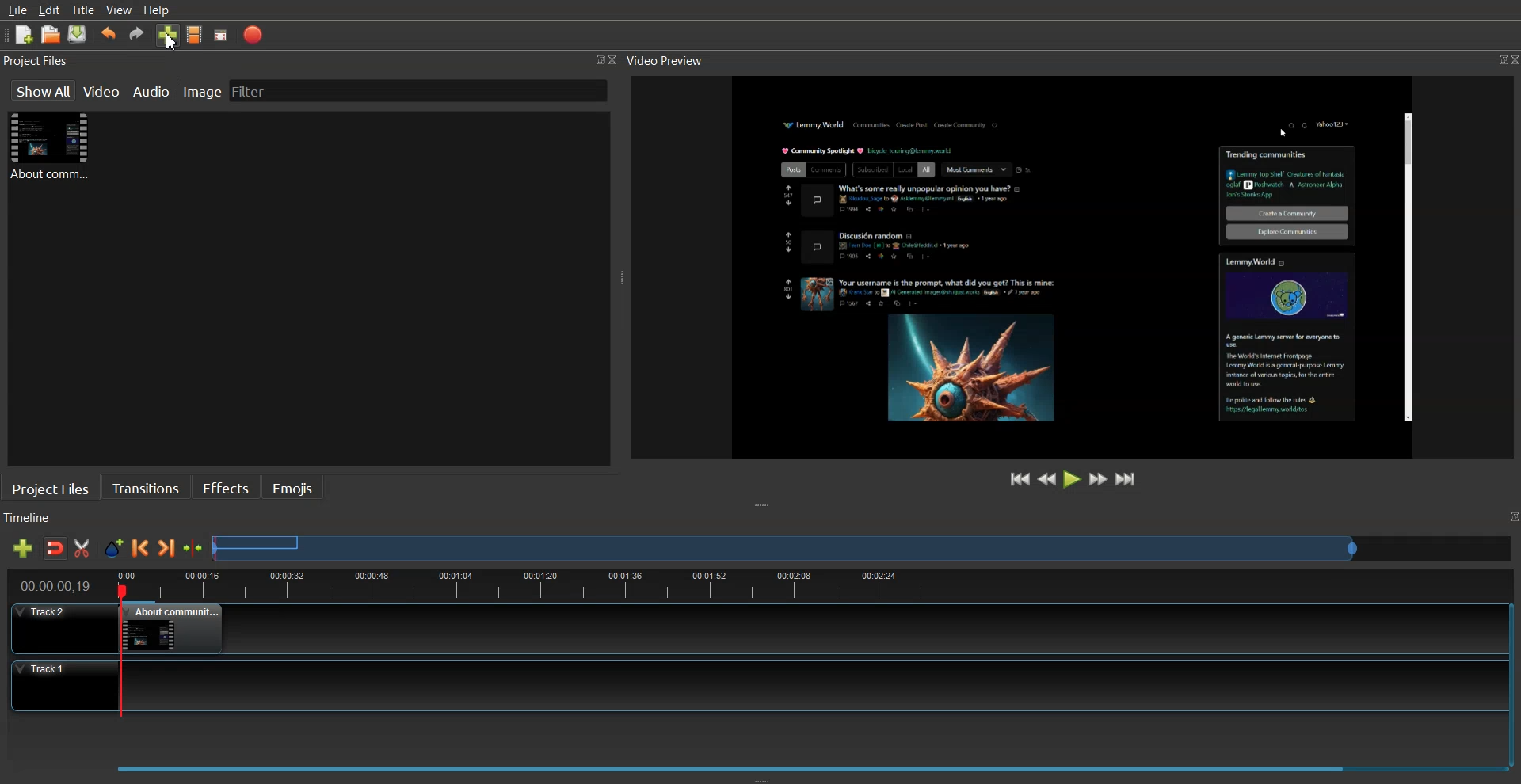 This screenshot has width=1521, height=784. Describe the element at coordinates (78, 34) in the screenshot. I see `Saved Project` at that location.